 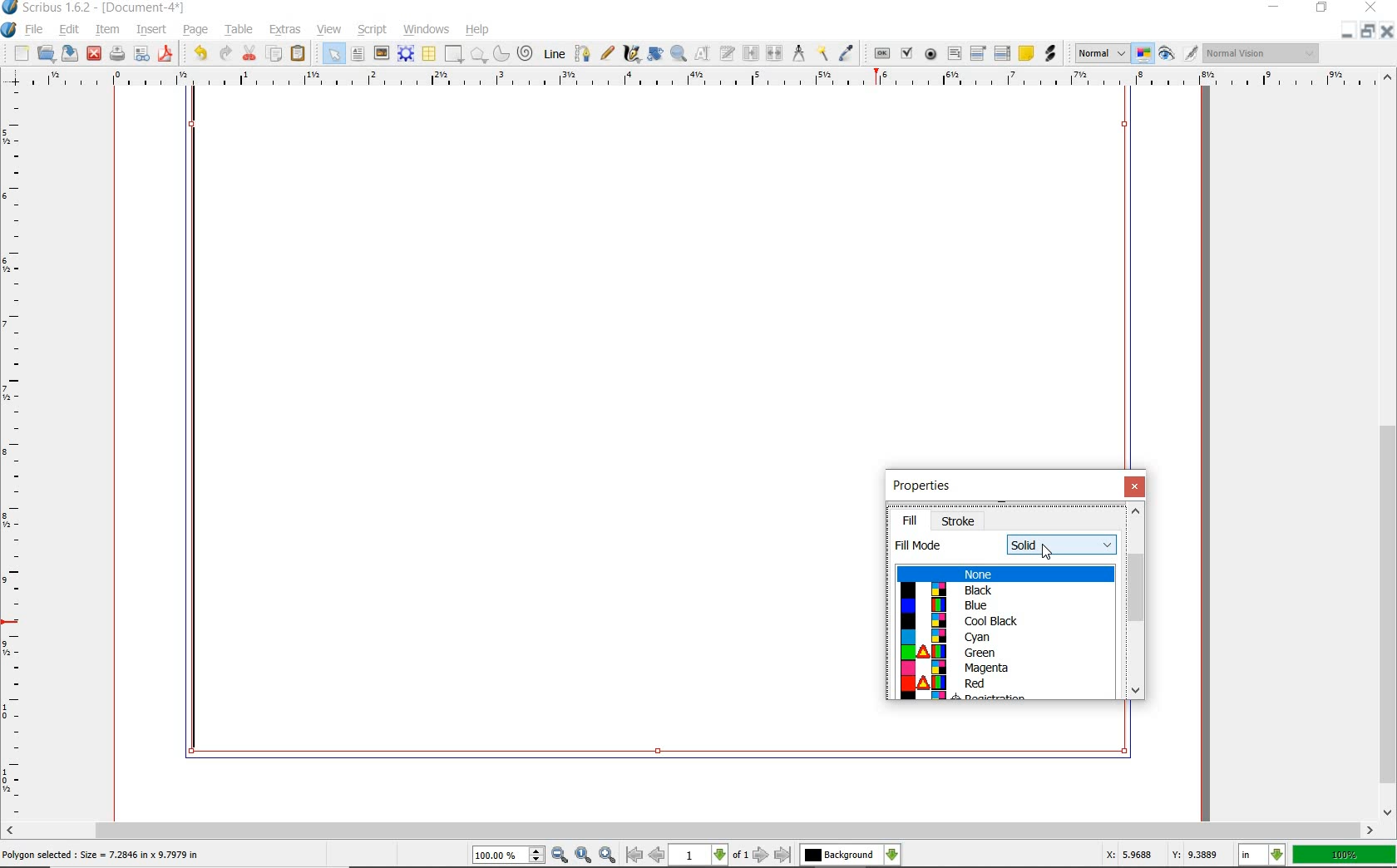 I want to click on edit, so click(x=70, y=29).